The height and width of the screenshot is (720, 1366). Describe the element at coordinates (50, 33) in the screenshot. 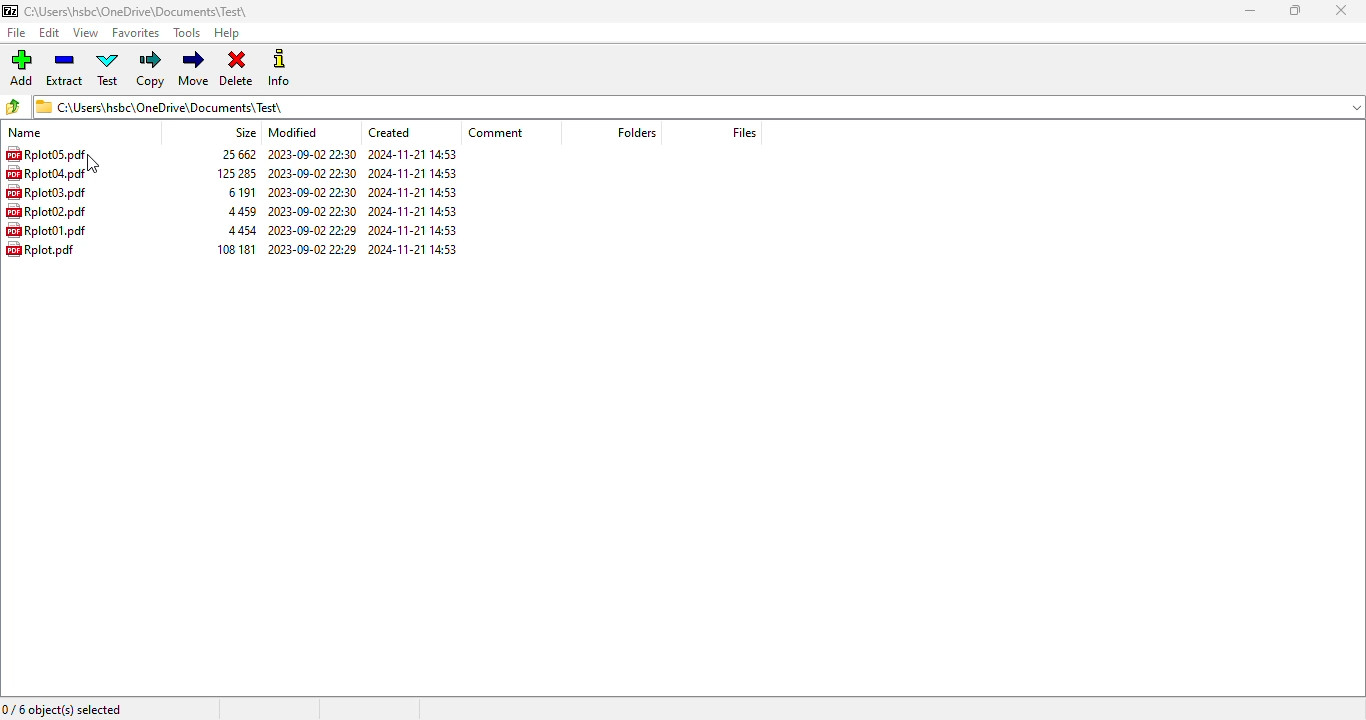

I see `edit` at that location.